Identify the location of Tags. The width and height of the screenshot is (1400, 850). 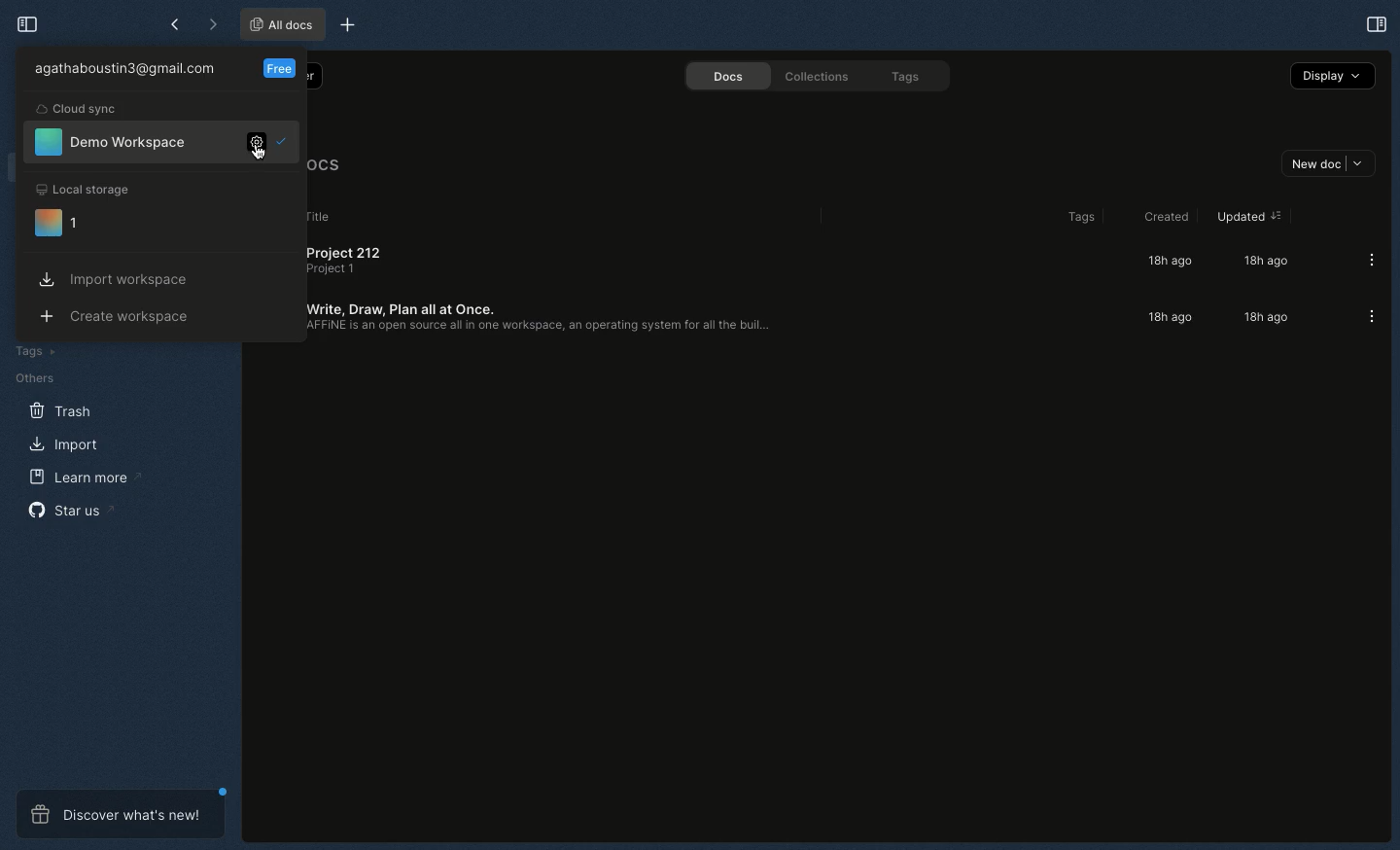
(905, 77).